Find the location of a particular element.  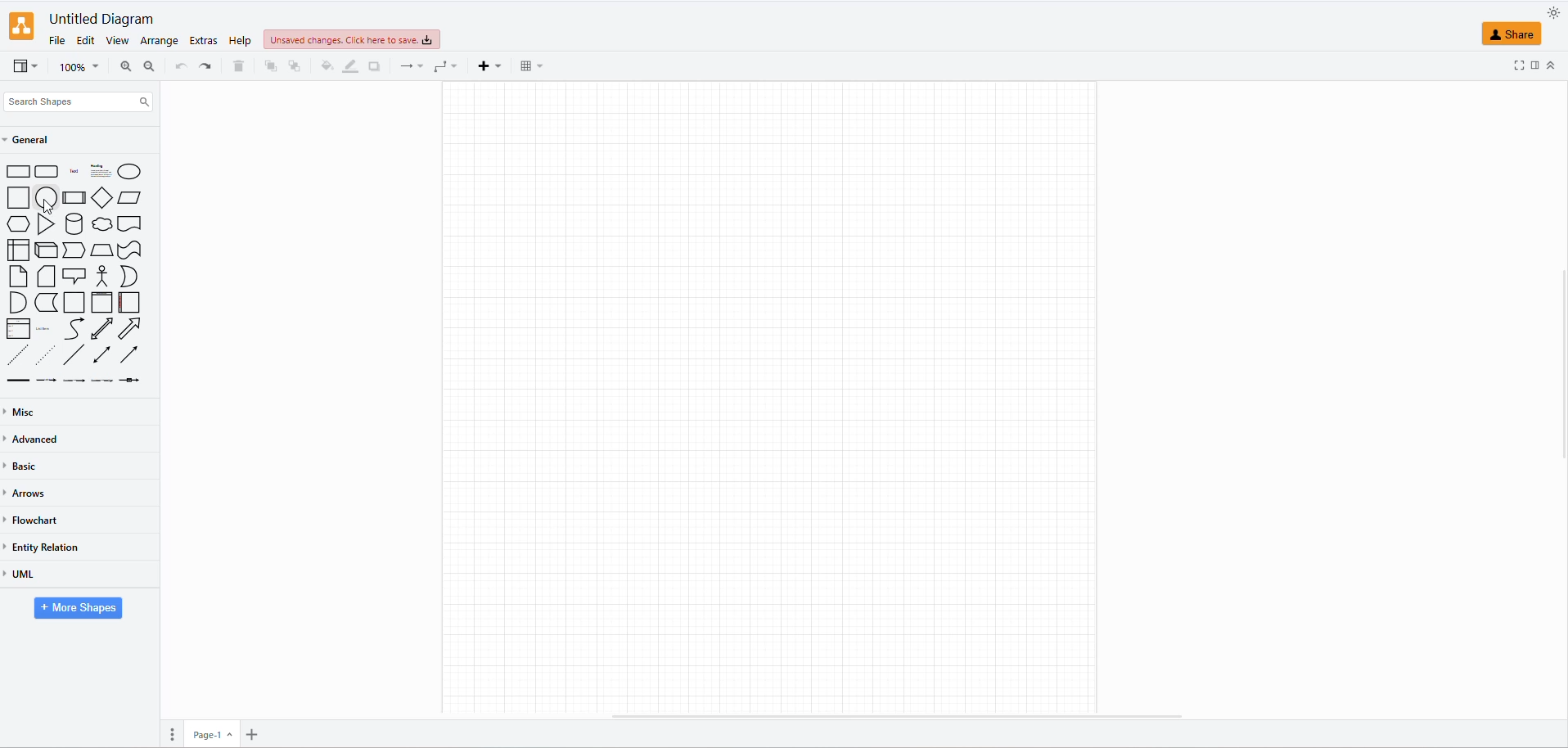

TRIANGLE is located at coordinates (44, 223).